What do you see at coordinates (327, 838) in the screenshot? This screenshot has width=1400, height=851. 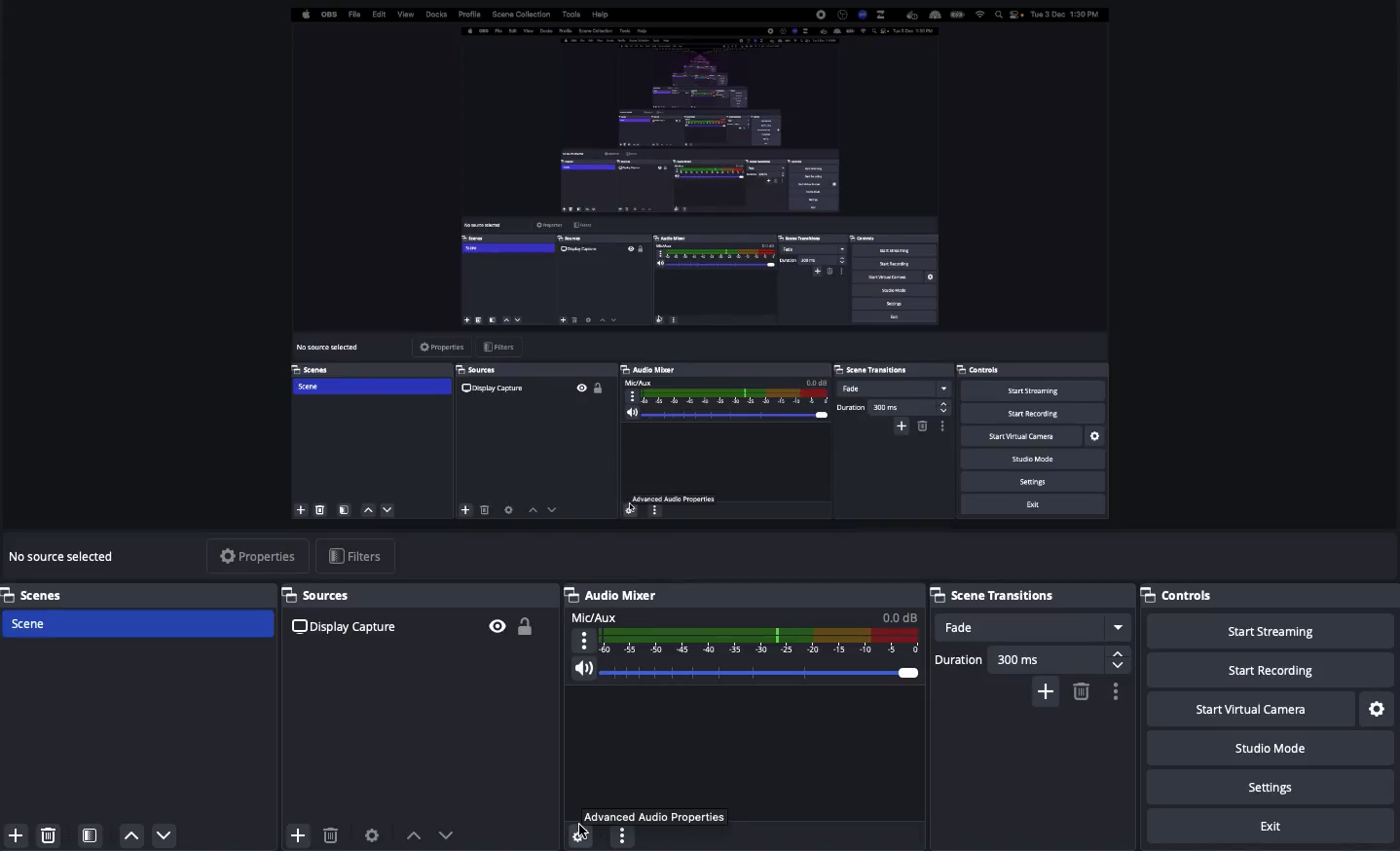 I see `delete` at bounding box center [327, 838].